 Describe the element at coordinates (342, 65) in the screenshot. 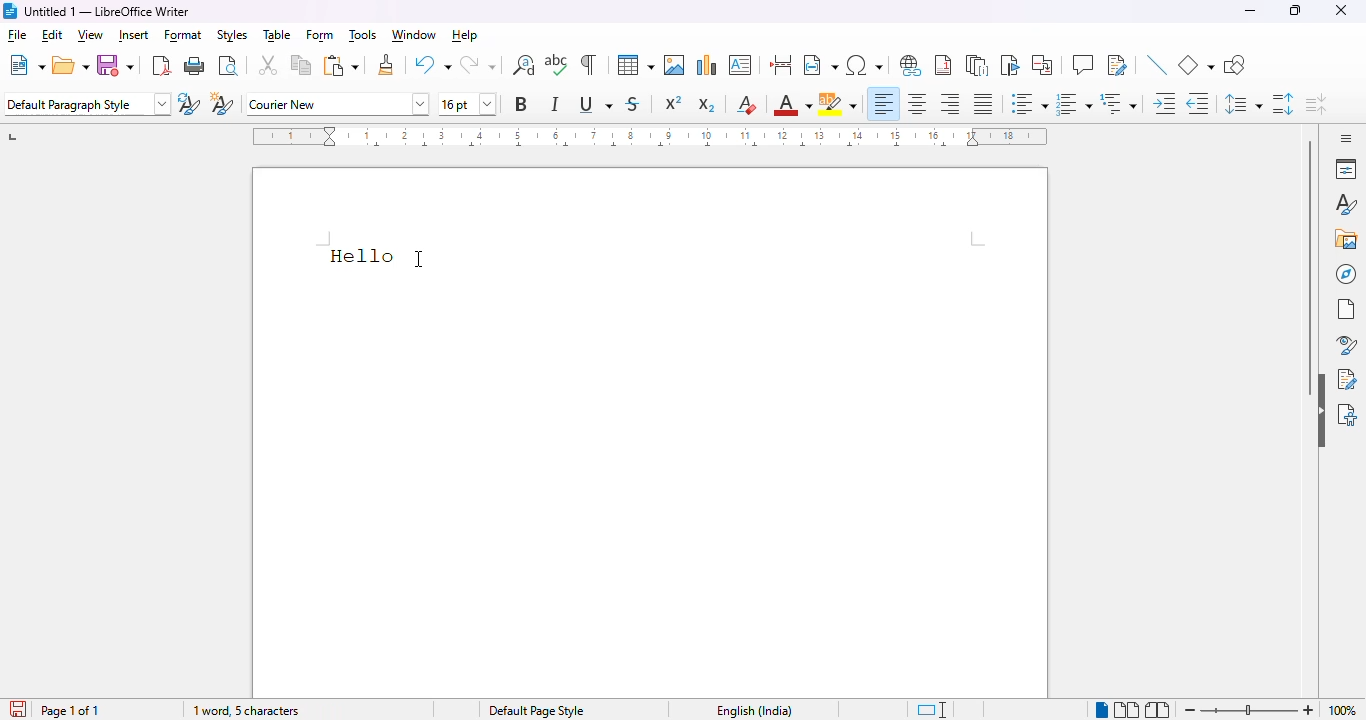

I see `paste` at that location.